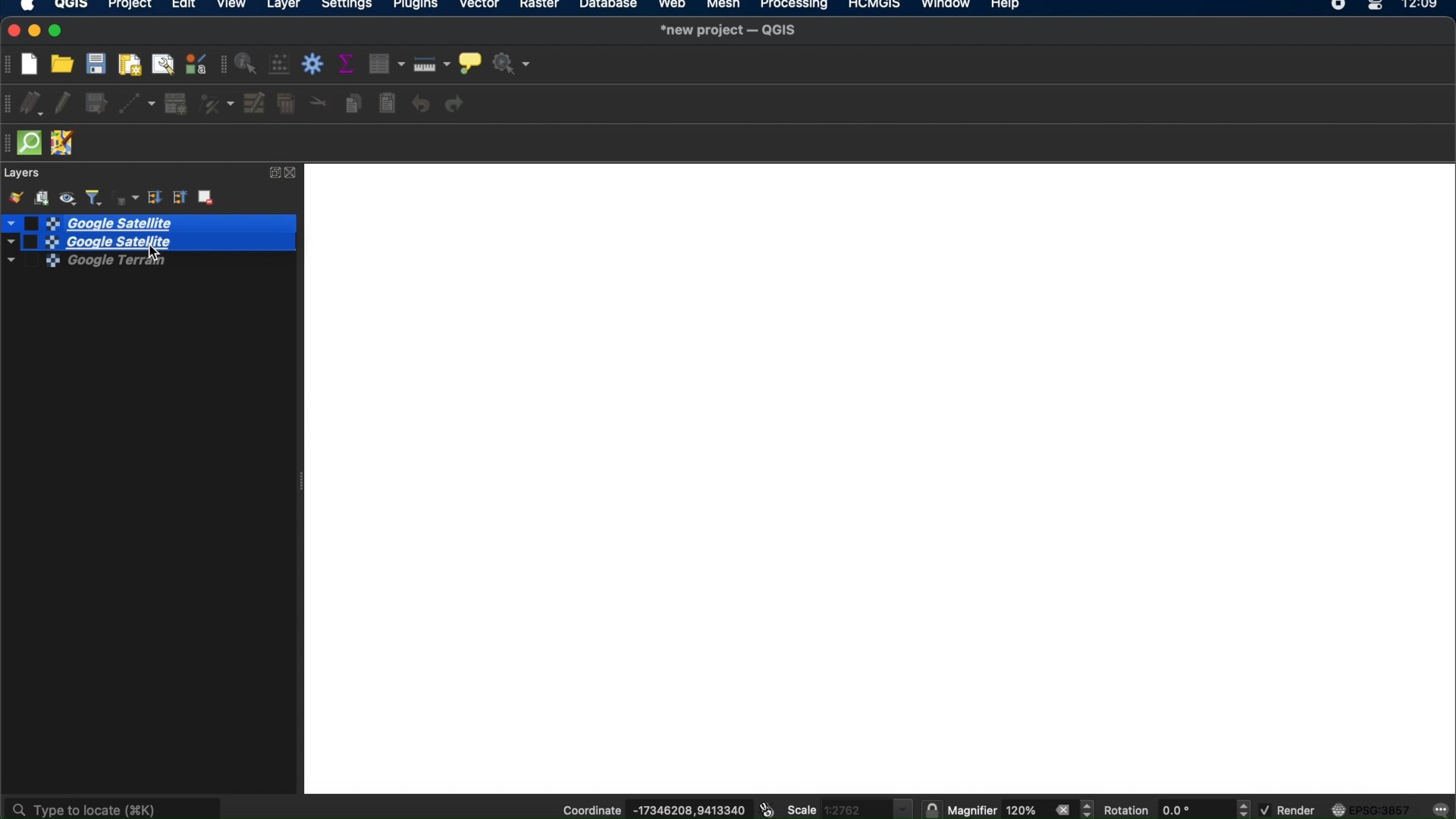 The width and height of the screenshot is (1456, 819). I want to click on layer, so click(284, 6).